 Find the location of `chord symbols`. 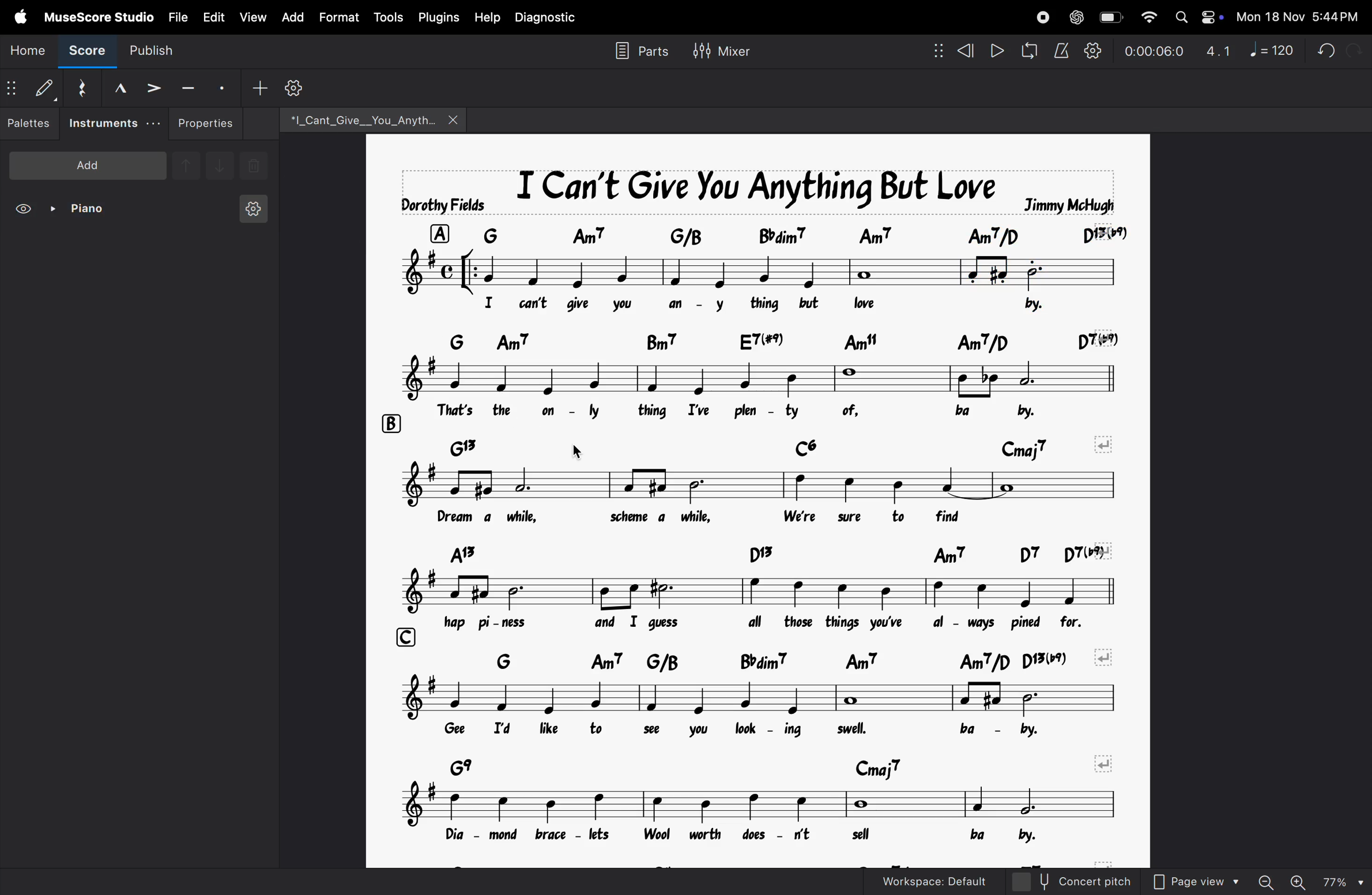

chord symbols is located at coordinates (794, 661).